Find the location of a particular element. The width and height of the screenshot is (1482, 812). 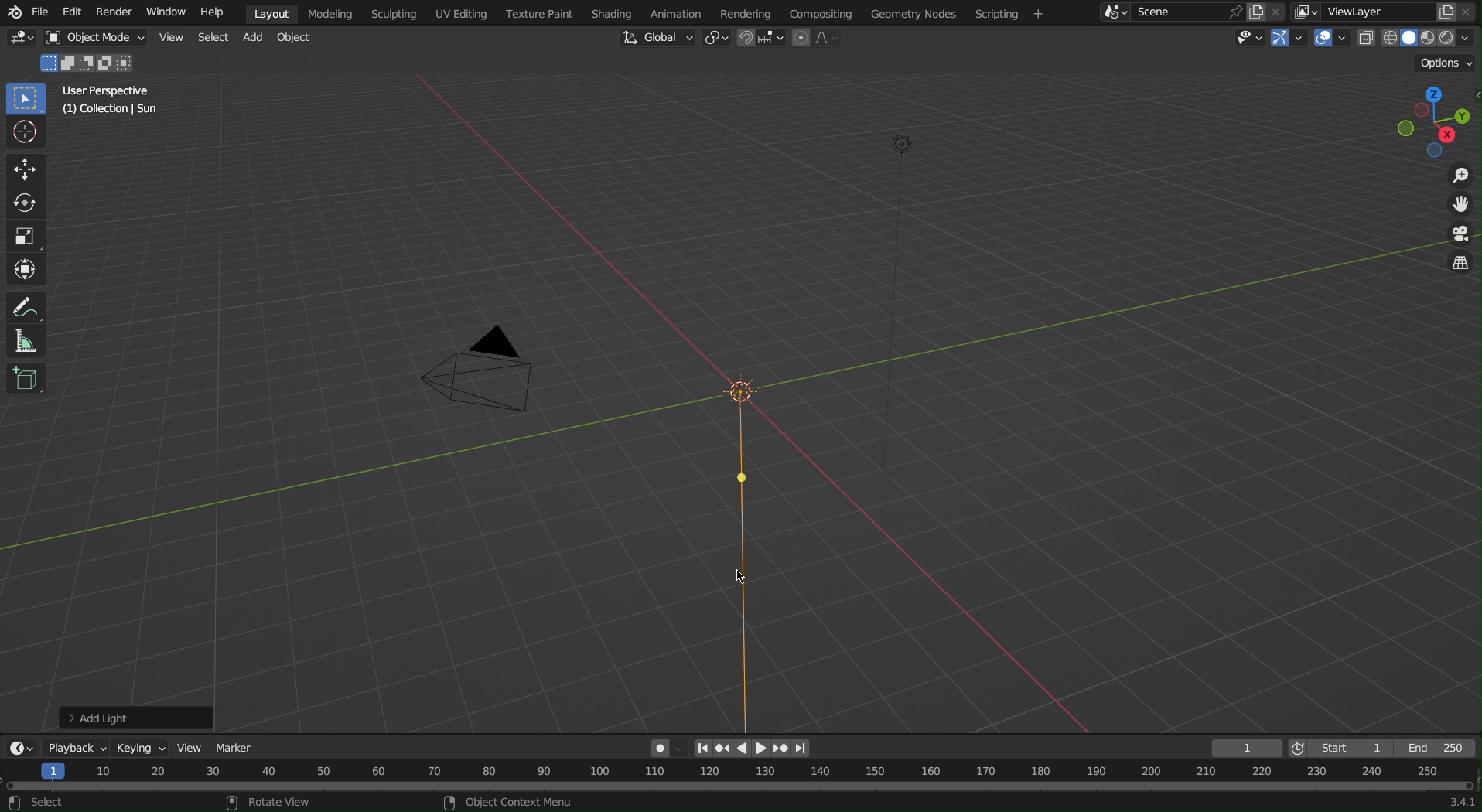

Scene is located at coordinates (1173, 12).